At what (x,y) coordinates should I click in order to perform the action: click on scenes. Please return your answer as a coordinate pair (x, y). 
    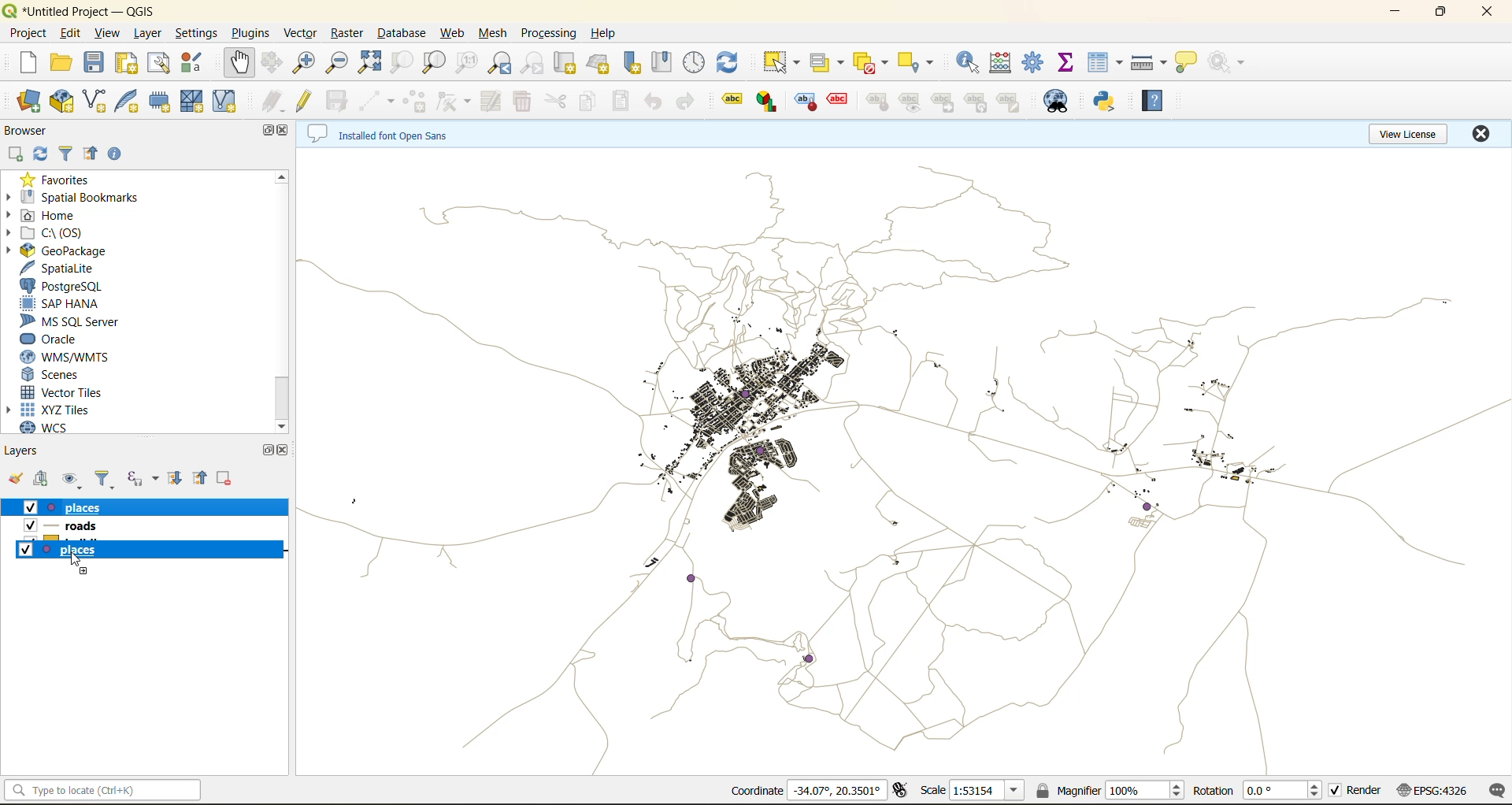
    Looking at the image, I should click on (80, 376).